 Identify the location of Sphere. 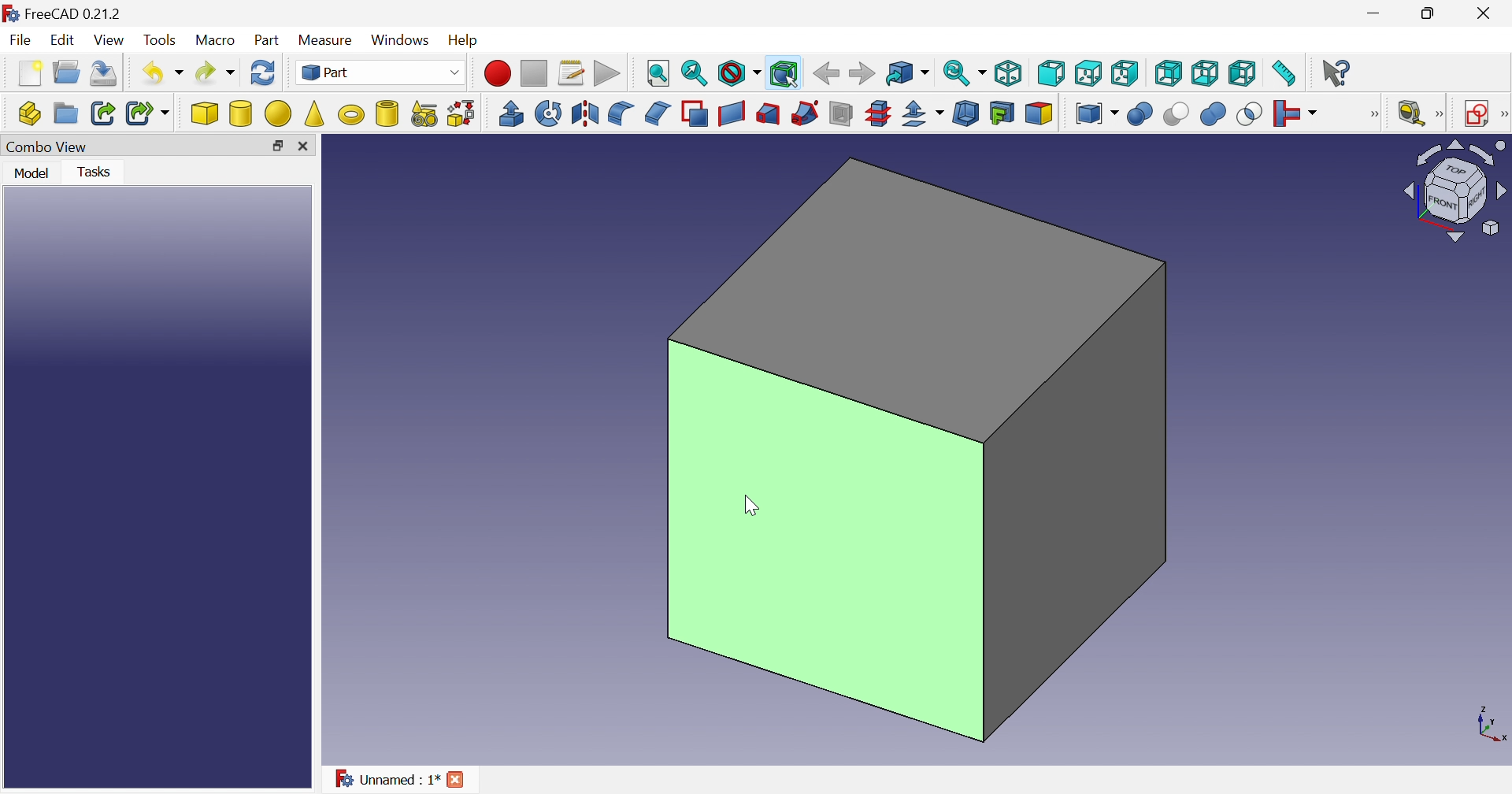
(279, 113).